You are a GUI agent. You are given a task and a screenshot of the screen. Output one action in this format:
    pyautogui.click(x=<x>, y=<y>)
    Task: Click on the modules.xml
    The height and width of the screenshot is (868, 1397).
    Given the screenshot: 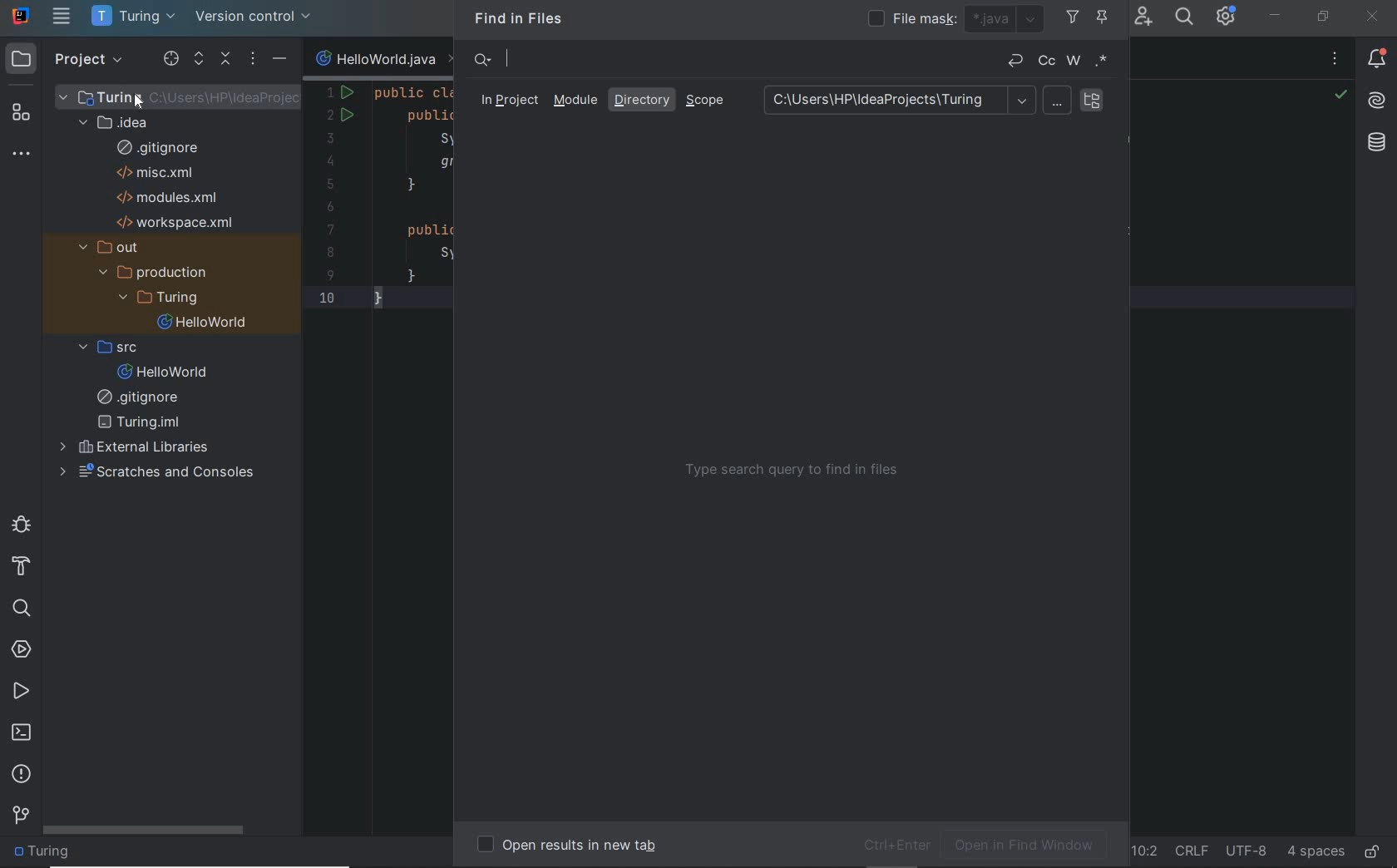 What is the action you would take?
    pyautogui.click(x=167, y=197)
    